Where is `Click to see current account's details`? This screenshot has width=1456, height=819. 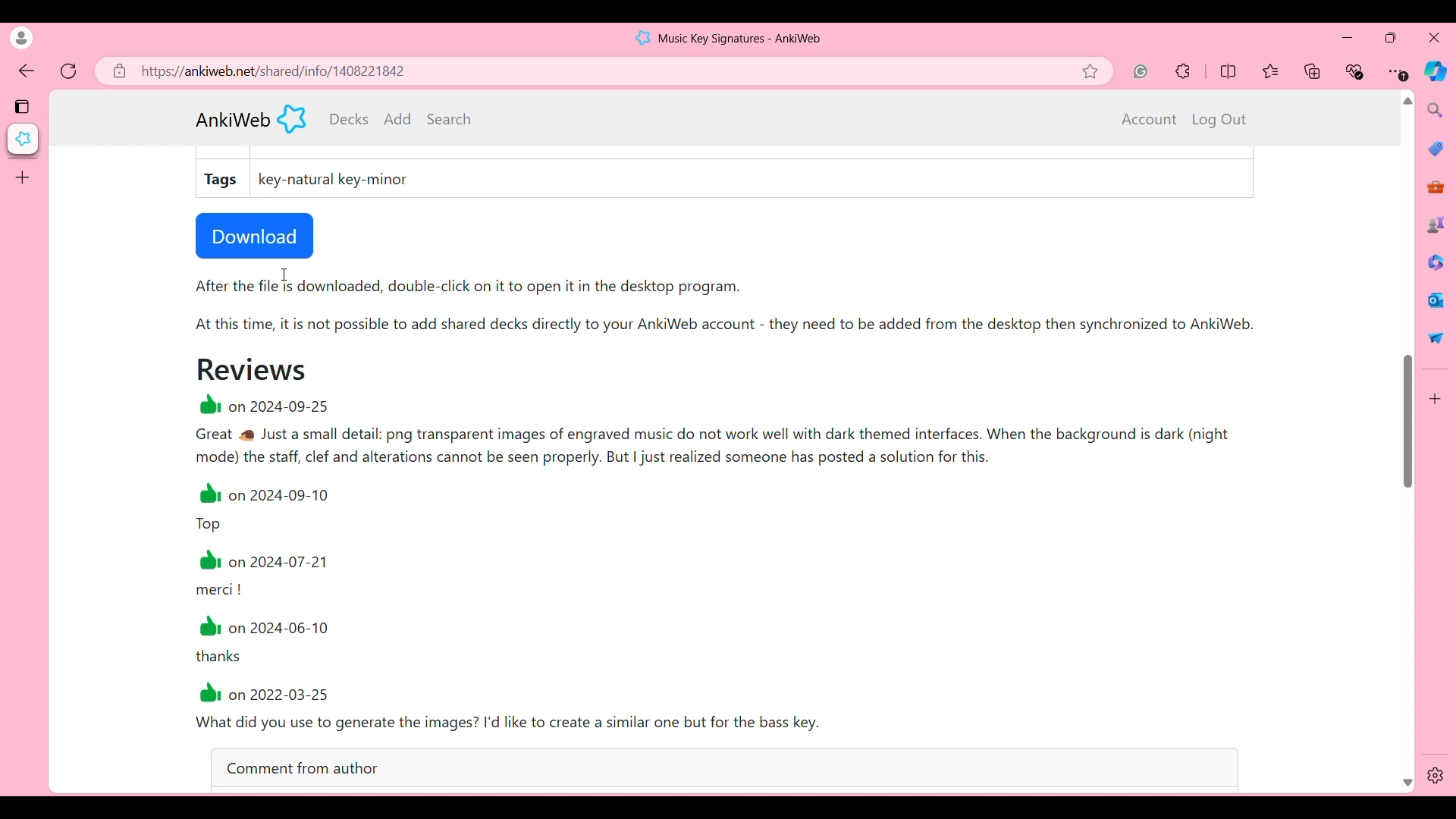
Click to see current account's details is located at coordinates (21, 38).